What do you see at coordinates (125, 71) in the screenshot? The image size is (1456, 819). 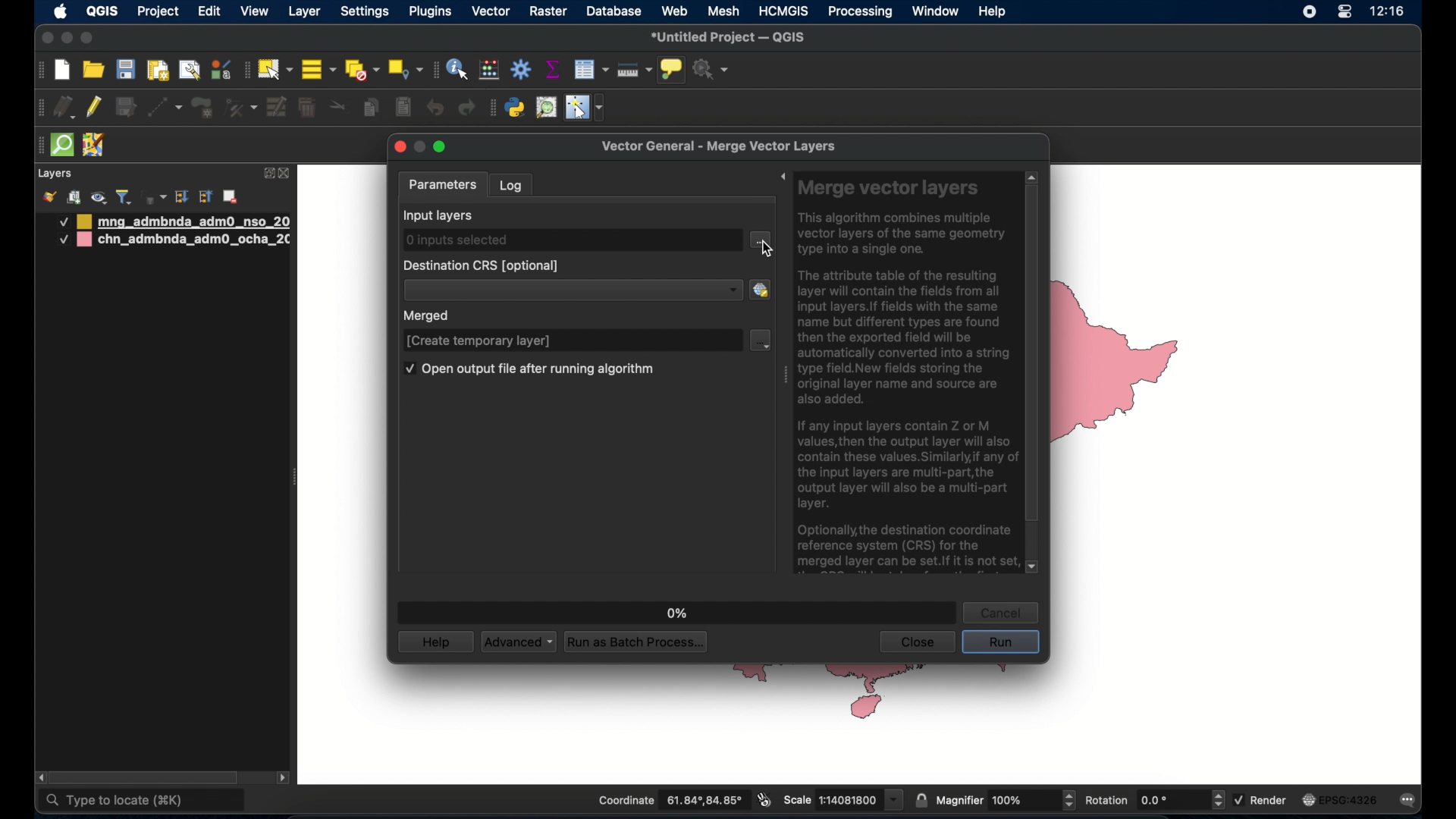 I see `save project` at bounding box center [125, 71].